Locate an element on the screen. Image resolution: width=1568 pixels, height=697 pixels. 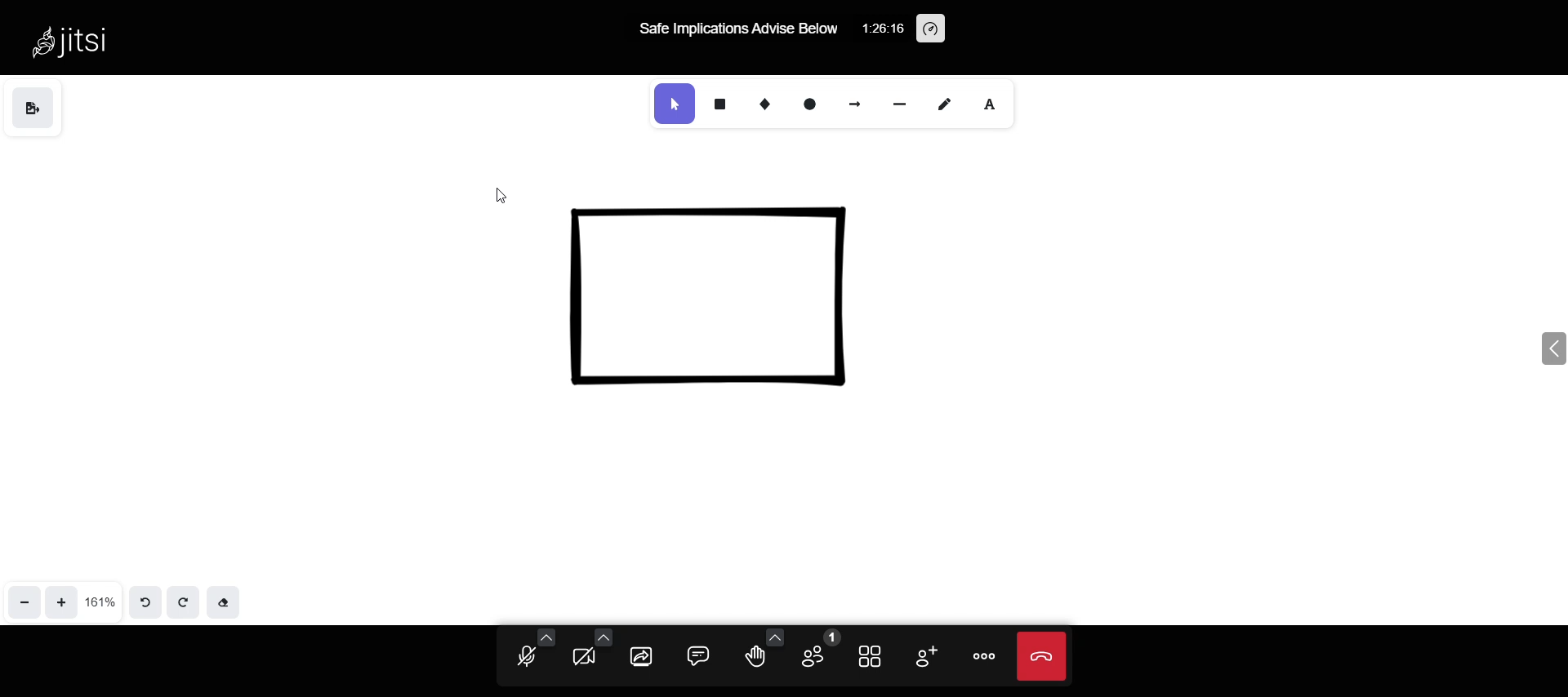
zoom in is located at coordinates (59, 602).